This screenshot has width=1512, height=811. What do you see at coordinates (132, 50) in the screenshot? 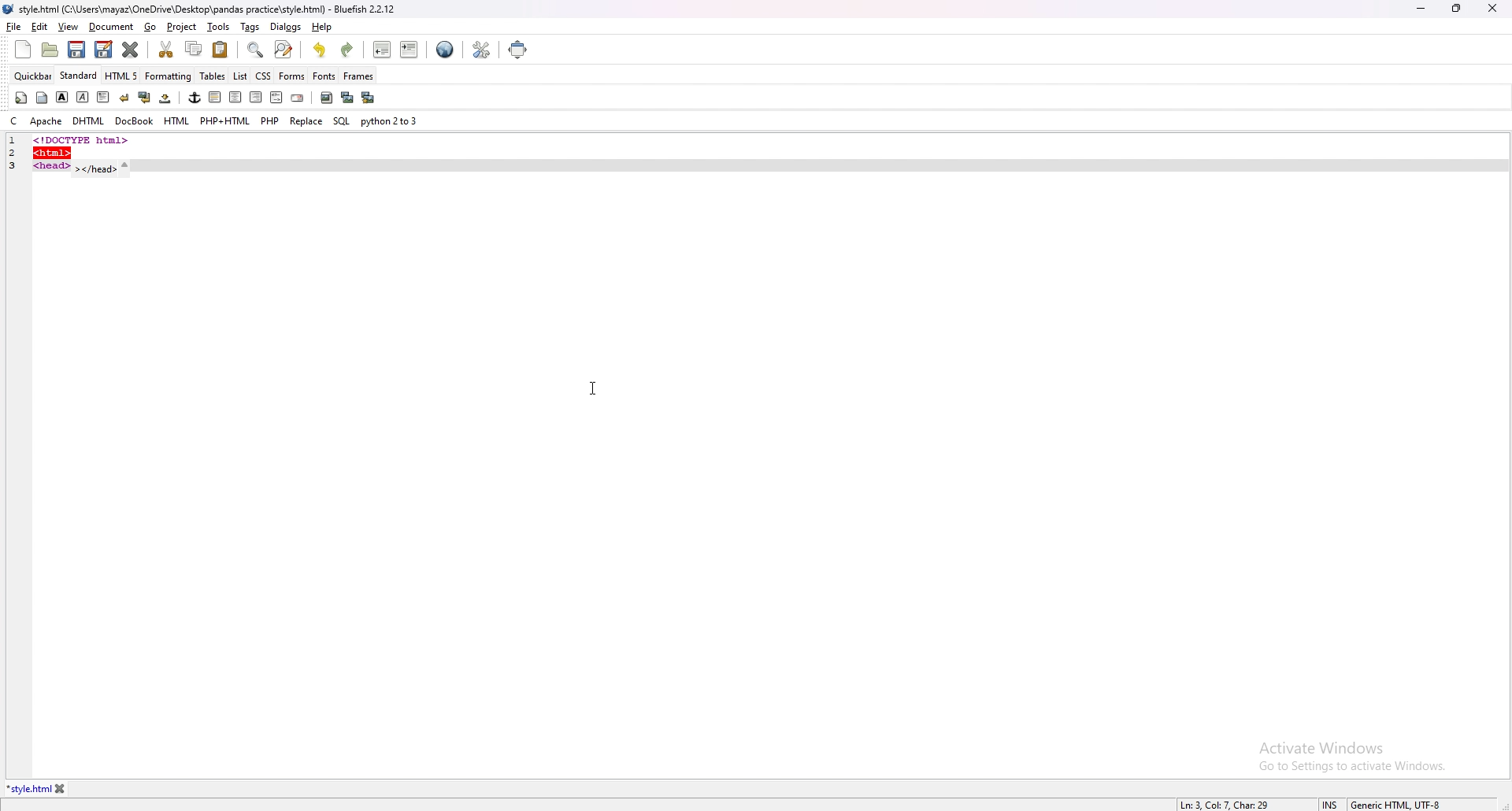
I see `close current tab` at bounding box center [132, 50].